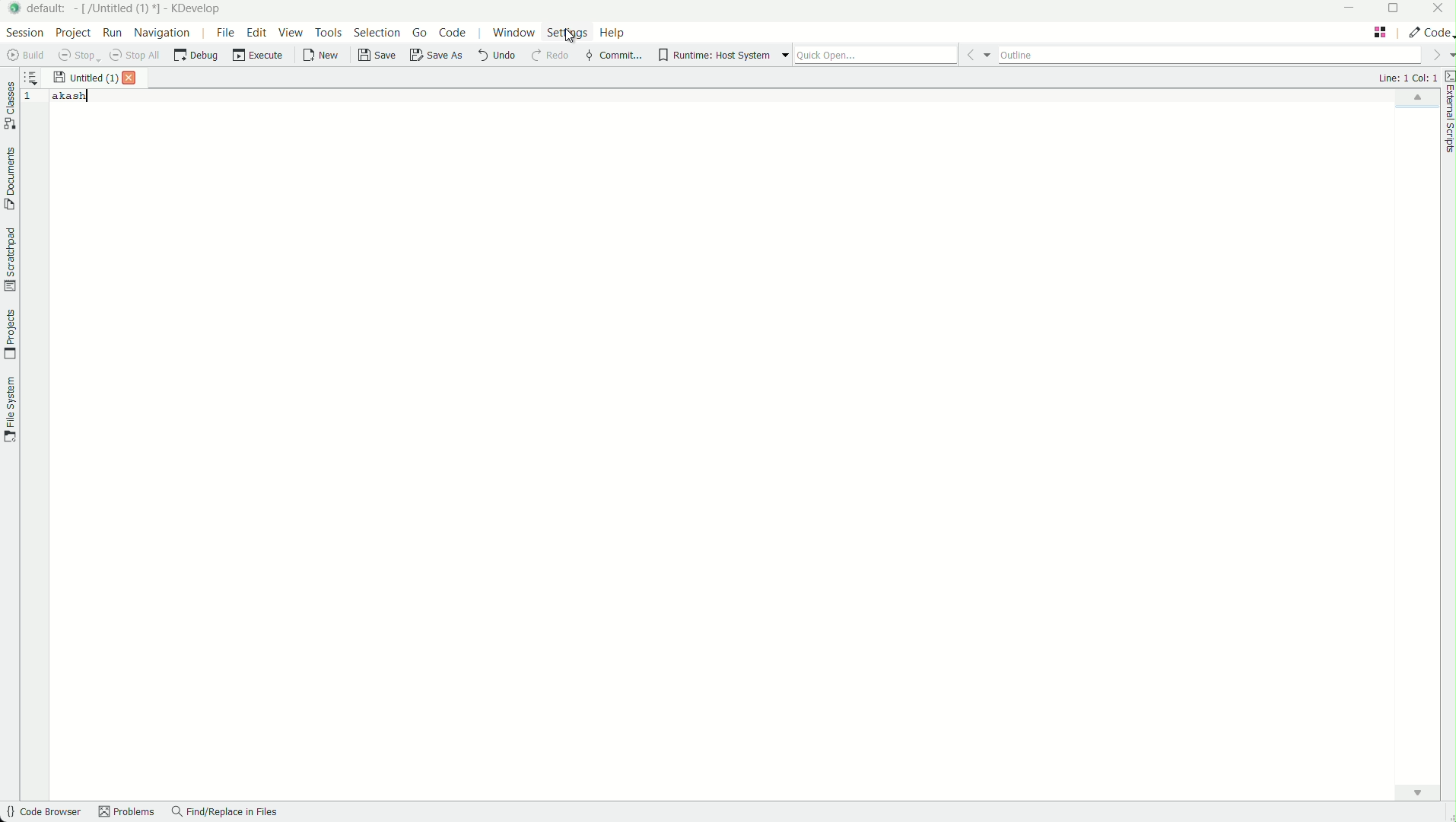 The width and height of the screenshot is (1456, 822). Describe the element at coordinates (224, 32) in the screenshot. I see `file menu` at that location.